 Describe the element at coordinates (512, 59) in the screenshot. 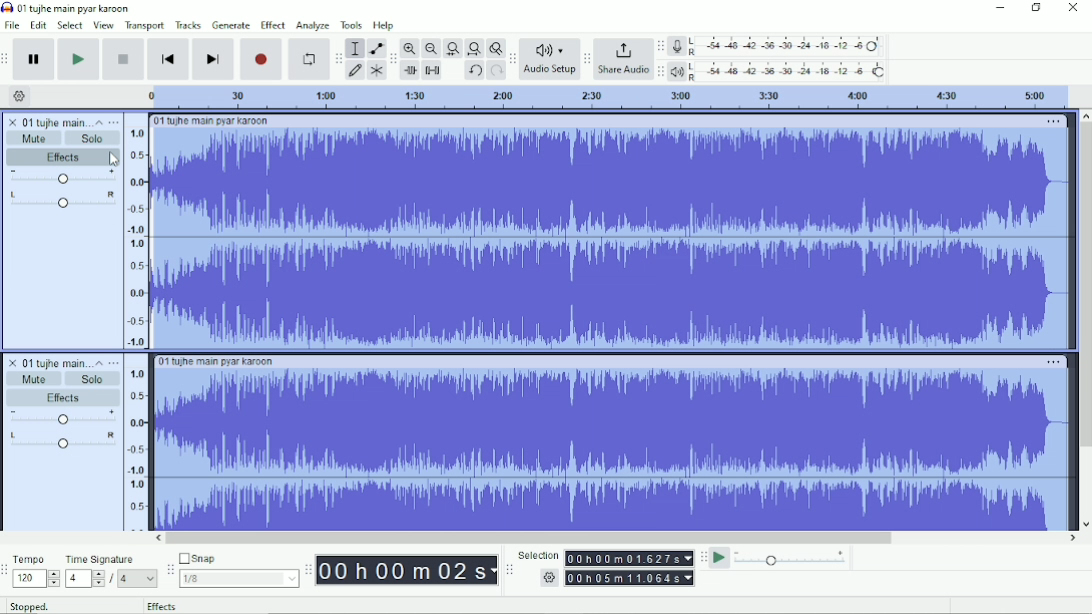

I see `Audacity audio setup toolbar` at that location.